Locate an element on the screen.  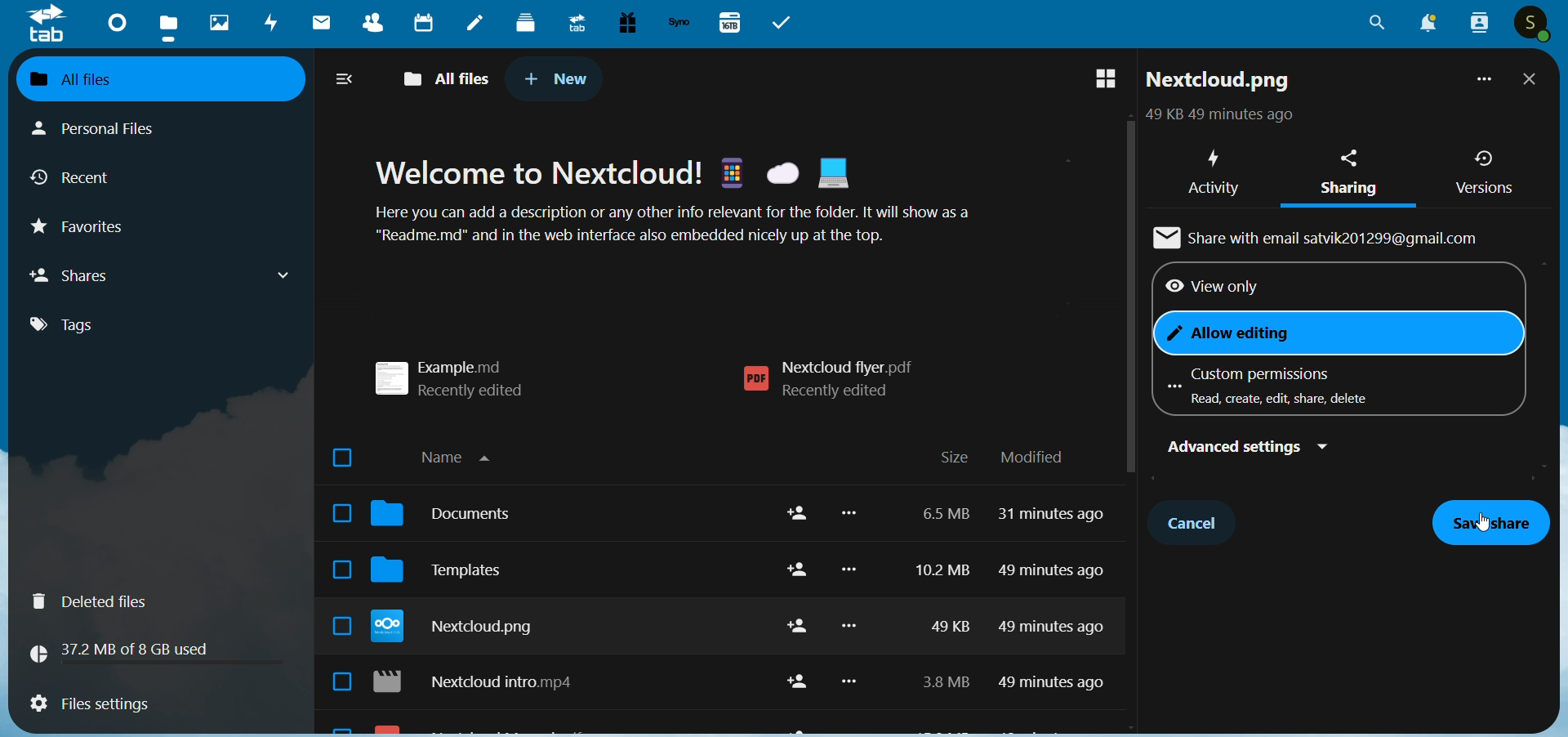
dashboard is located at coordinates (114, 21).